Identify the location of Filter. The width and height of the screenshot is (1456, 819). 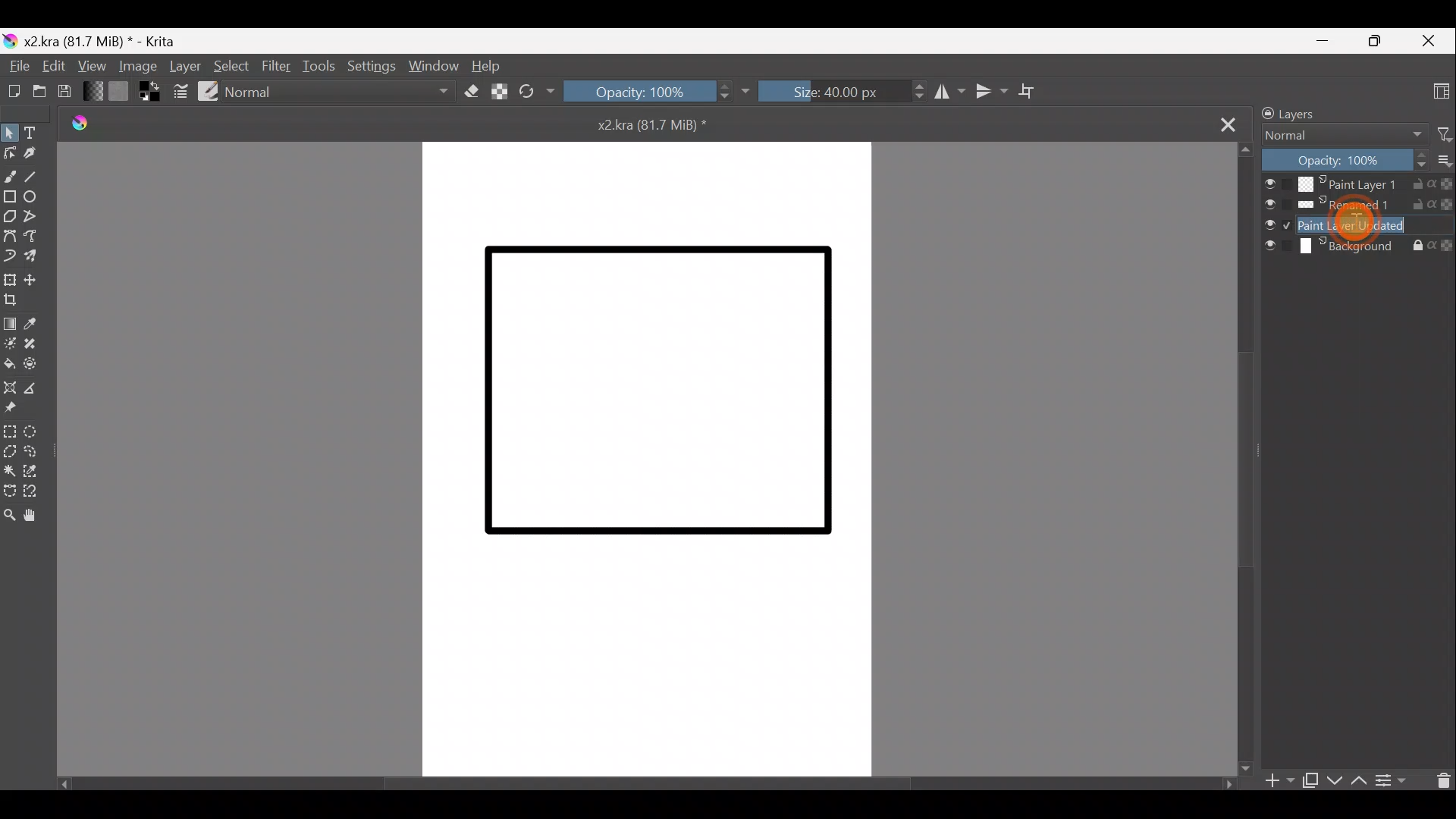
(1444, 135).